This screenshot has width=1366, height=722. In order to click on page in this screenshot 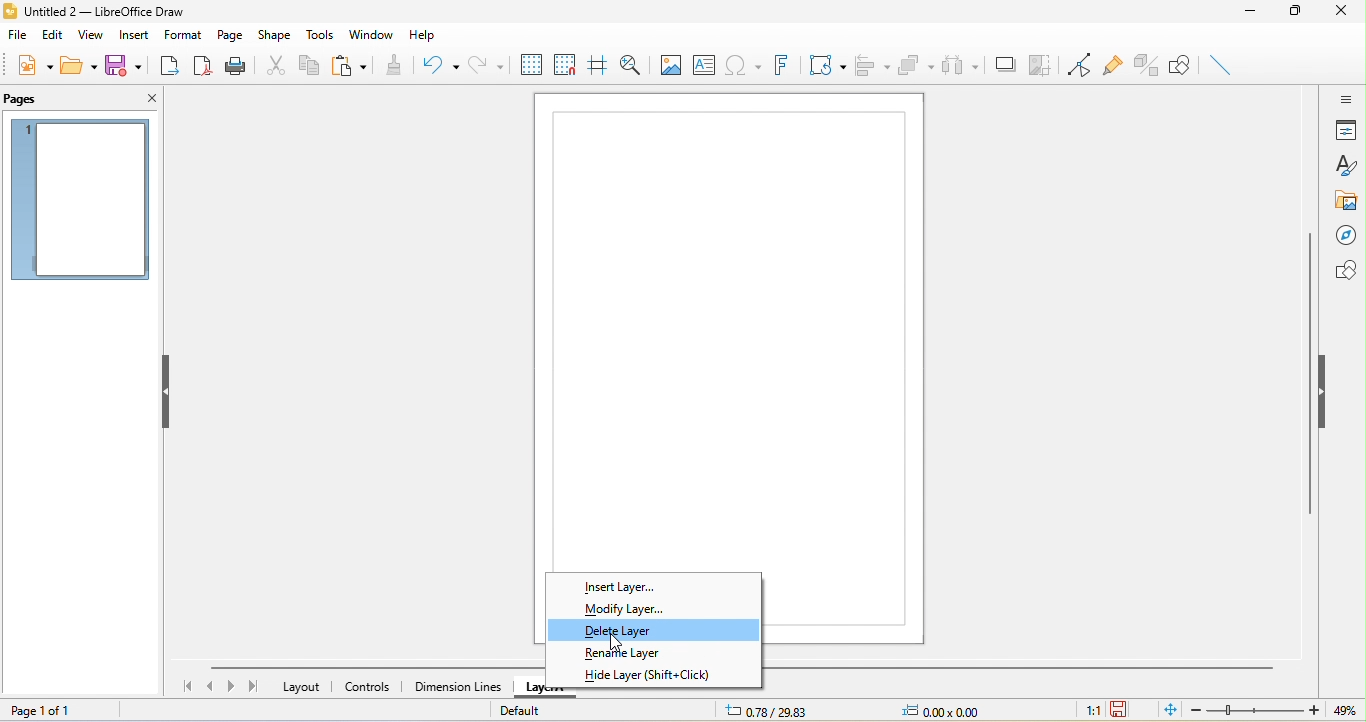, I will do `click(229, 34)`.